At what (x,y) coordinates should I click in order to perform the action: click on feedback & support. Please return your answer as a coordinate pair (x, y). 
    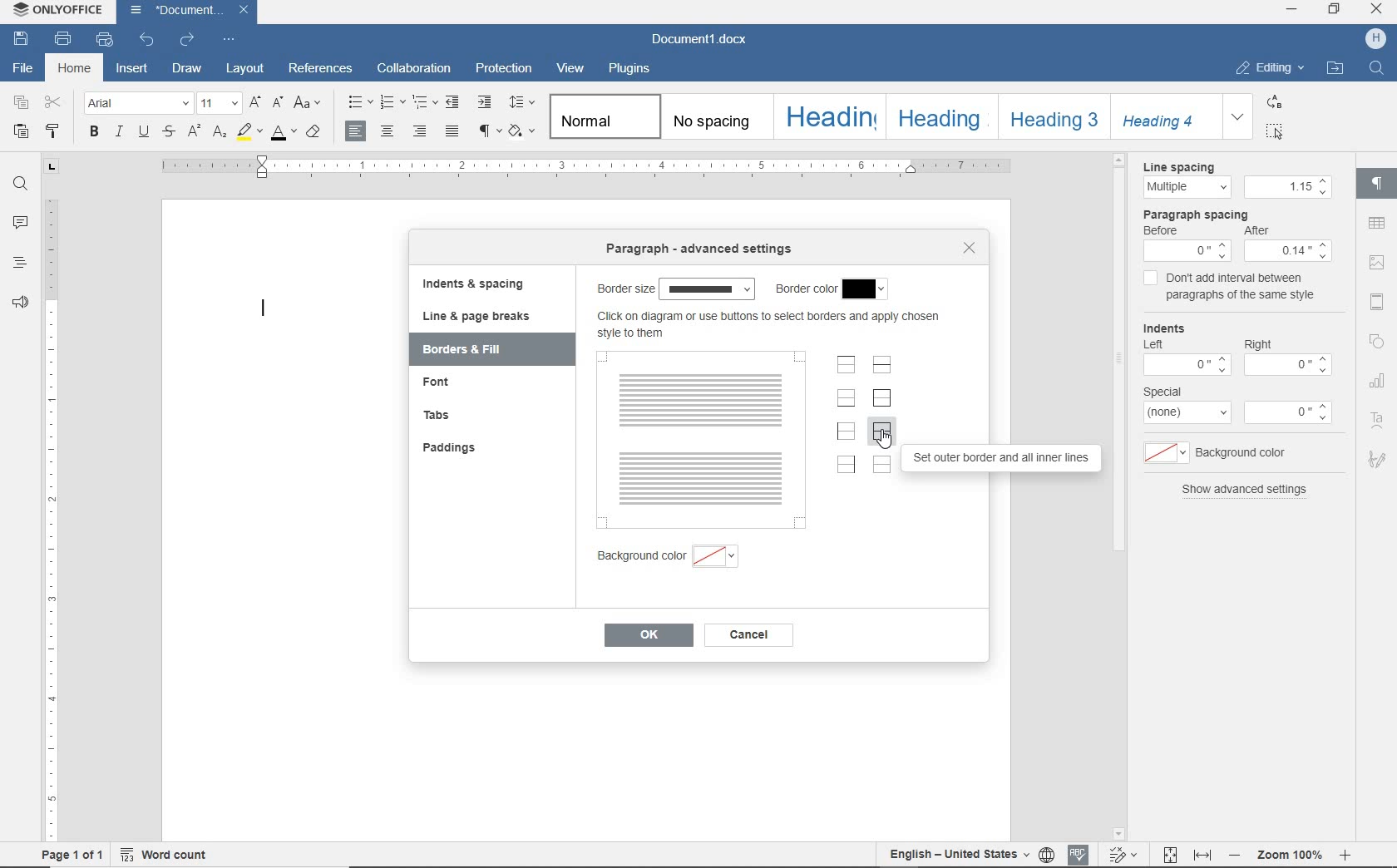
    Looking at the image, I should click on (17, 301).